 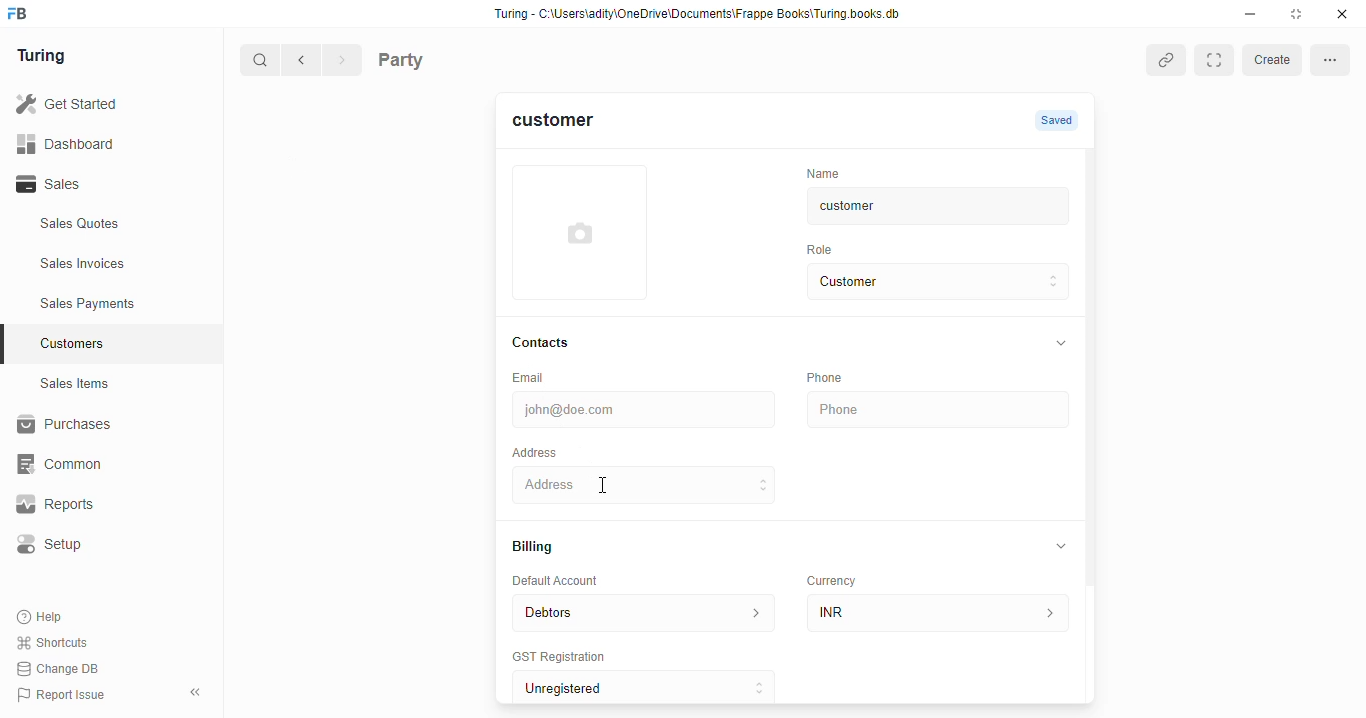 What do you see at coordinates (646, 684) in the screenshot?
I see `Unregistered` at bounding box center [646, 684].